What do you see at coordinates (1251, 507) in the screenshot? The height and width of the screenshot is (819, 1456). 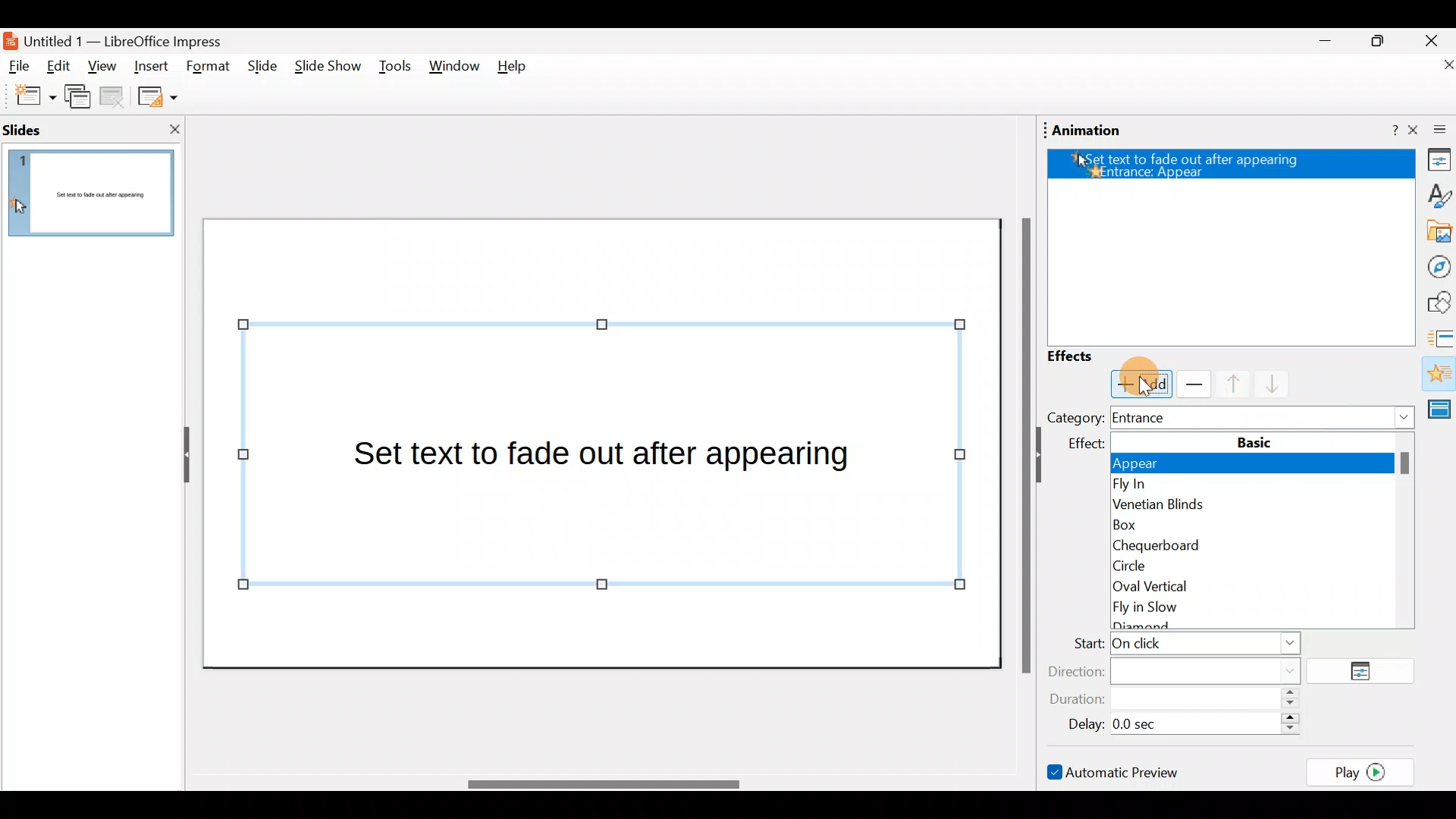 I see `Venetian Blinds` at bounding box center [1251, 507].